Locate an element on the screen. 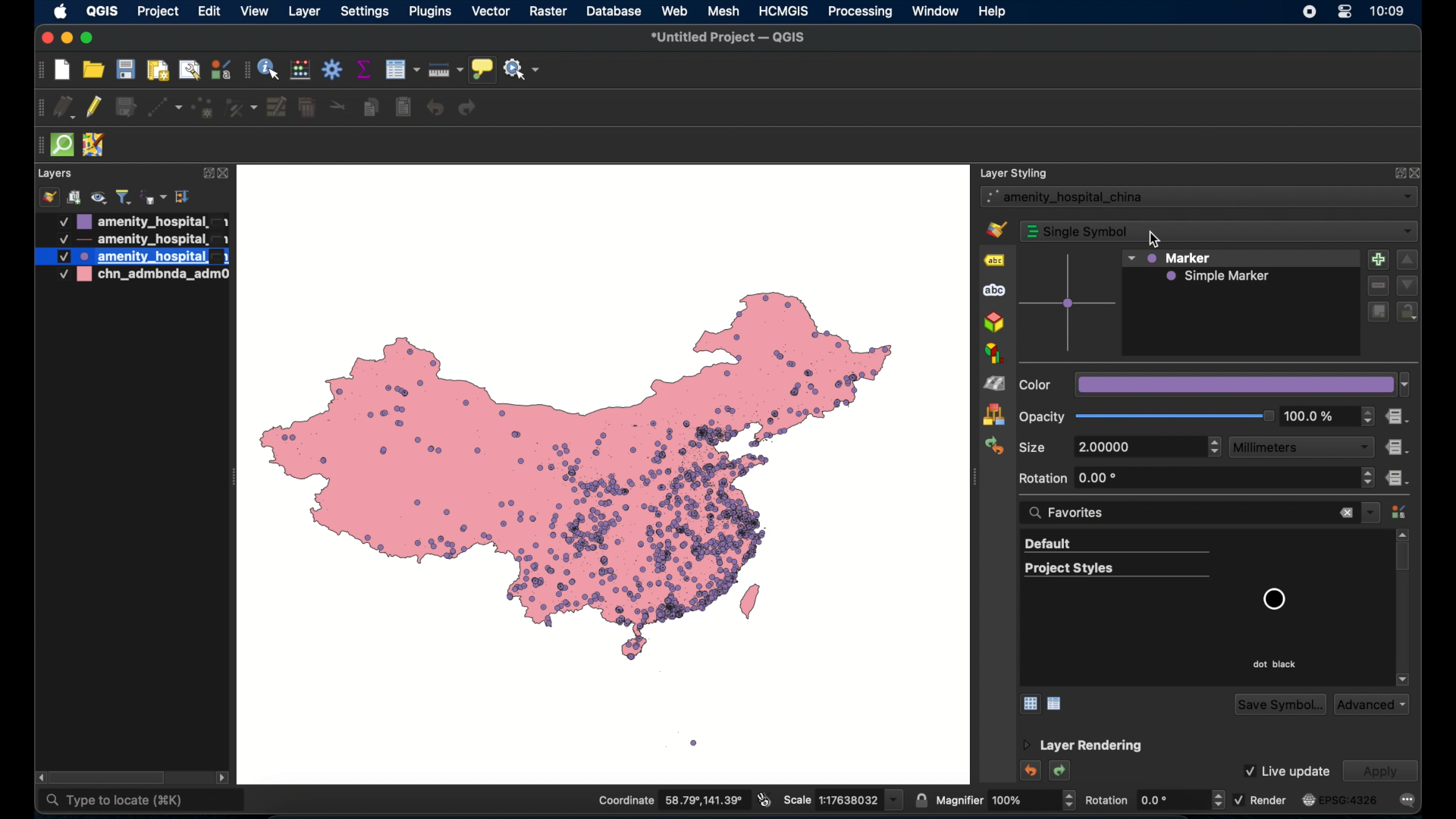  untitled project - QGIS is located at coordinates (725, 39).